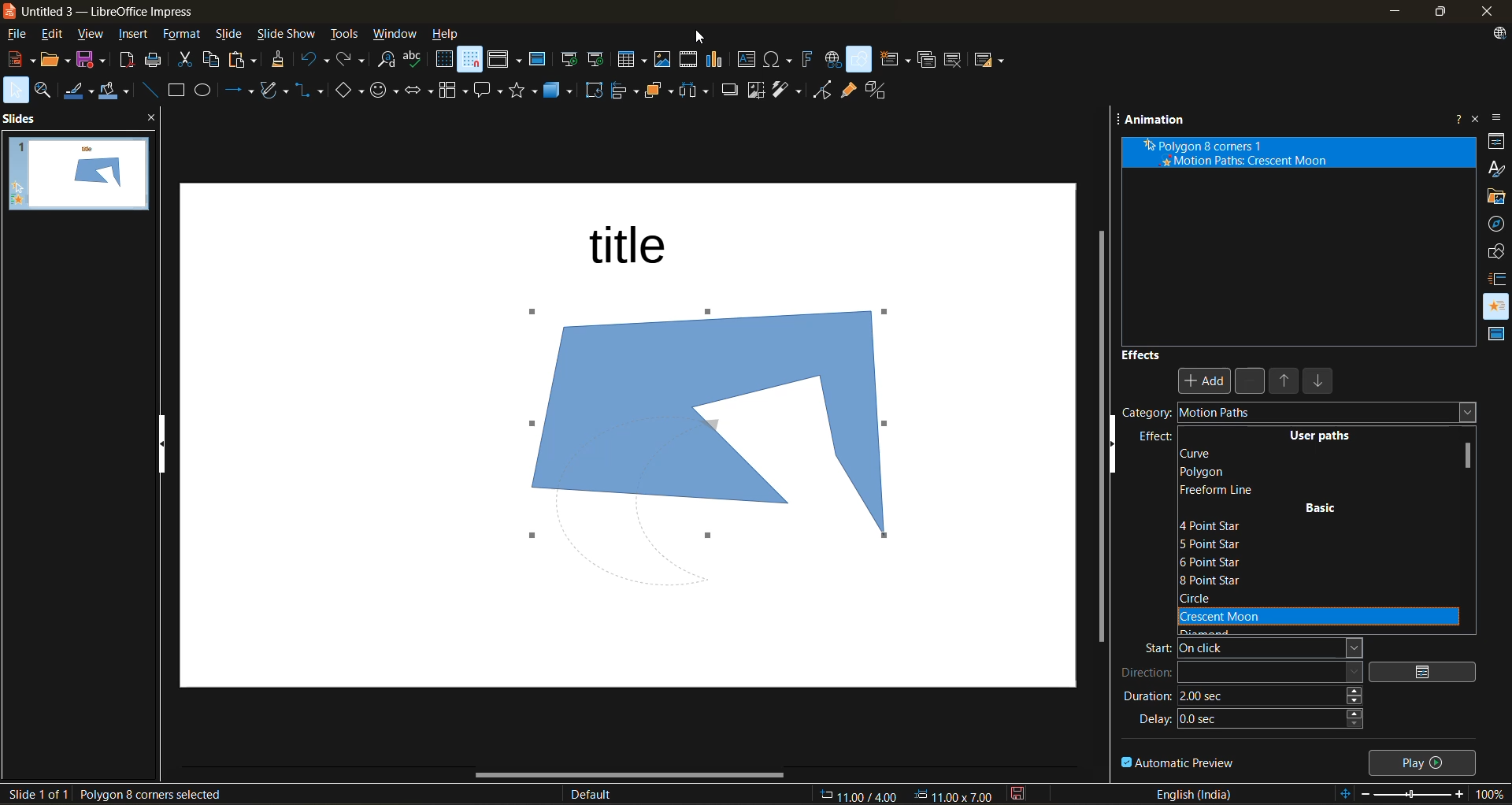 Image resolution: width=1512 pixels, height=805 pixels. I want to click on show gluepoint functions, so click(848, 91).